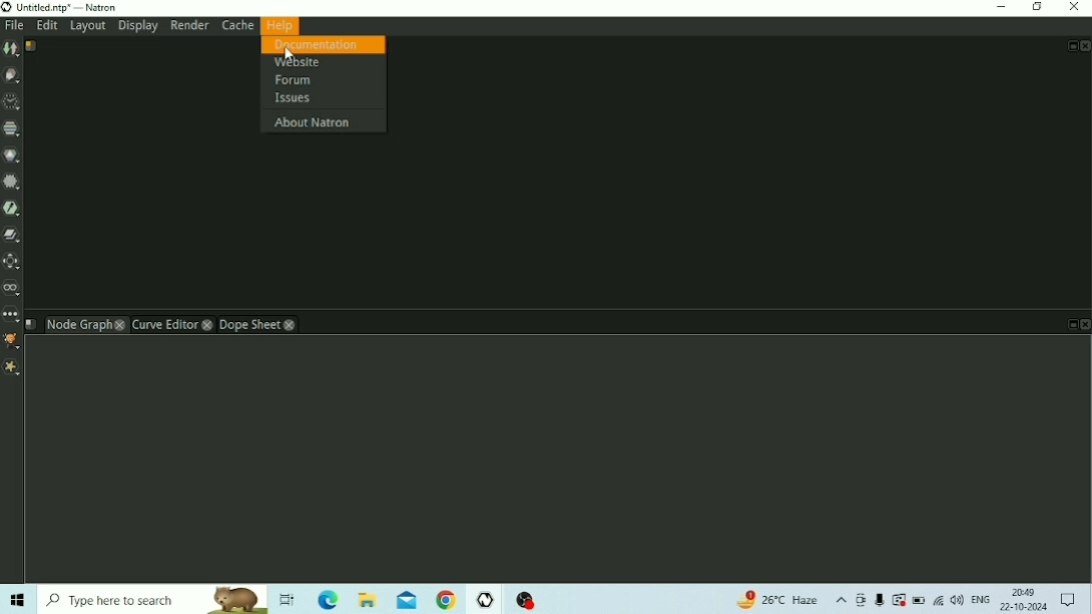  I want to click on Date, so click(1024, 607).